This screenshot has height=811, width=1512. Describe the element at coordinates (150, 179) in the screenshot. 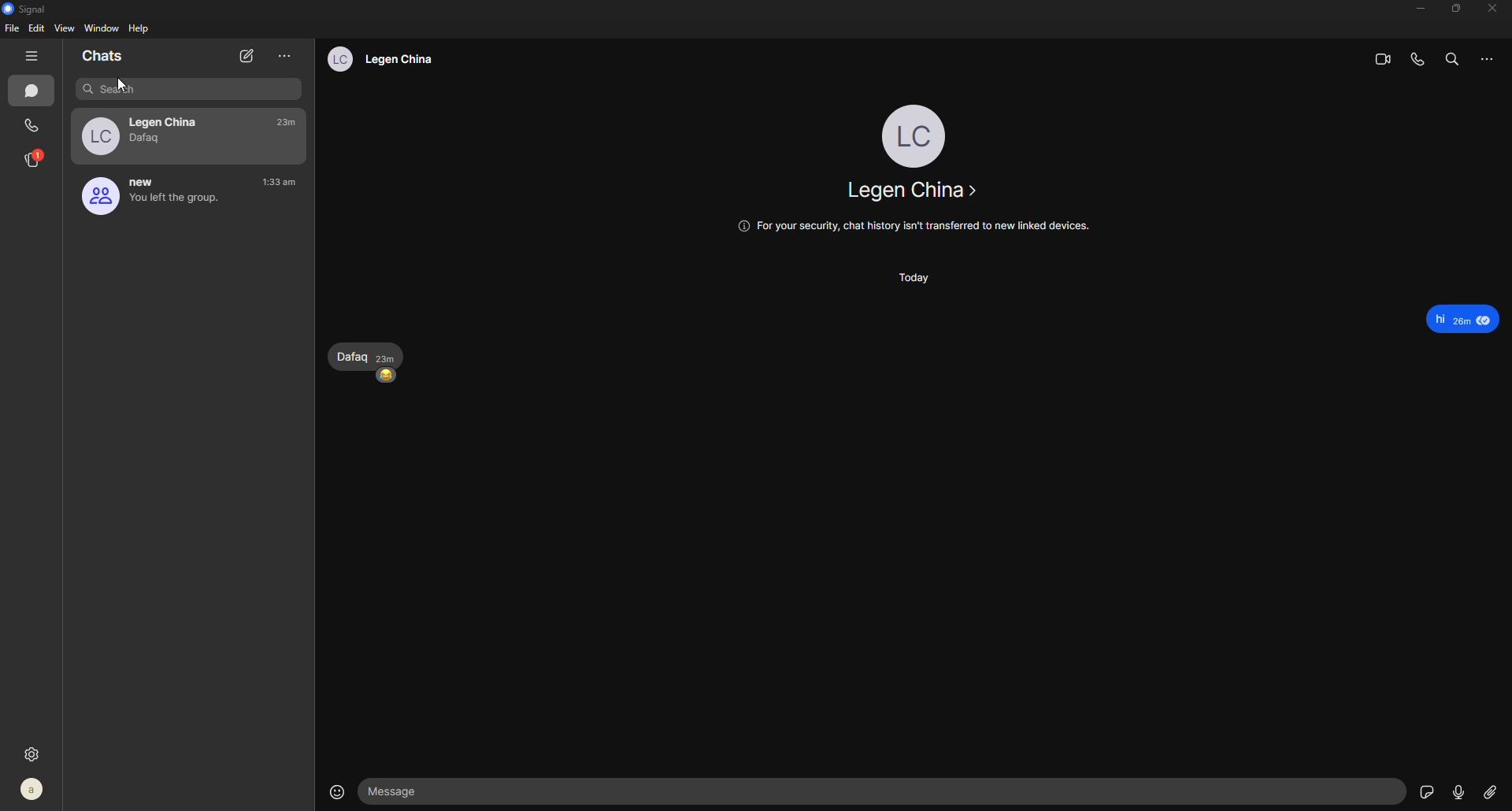

I see `new` at that location.